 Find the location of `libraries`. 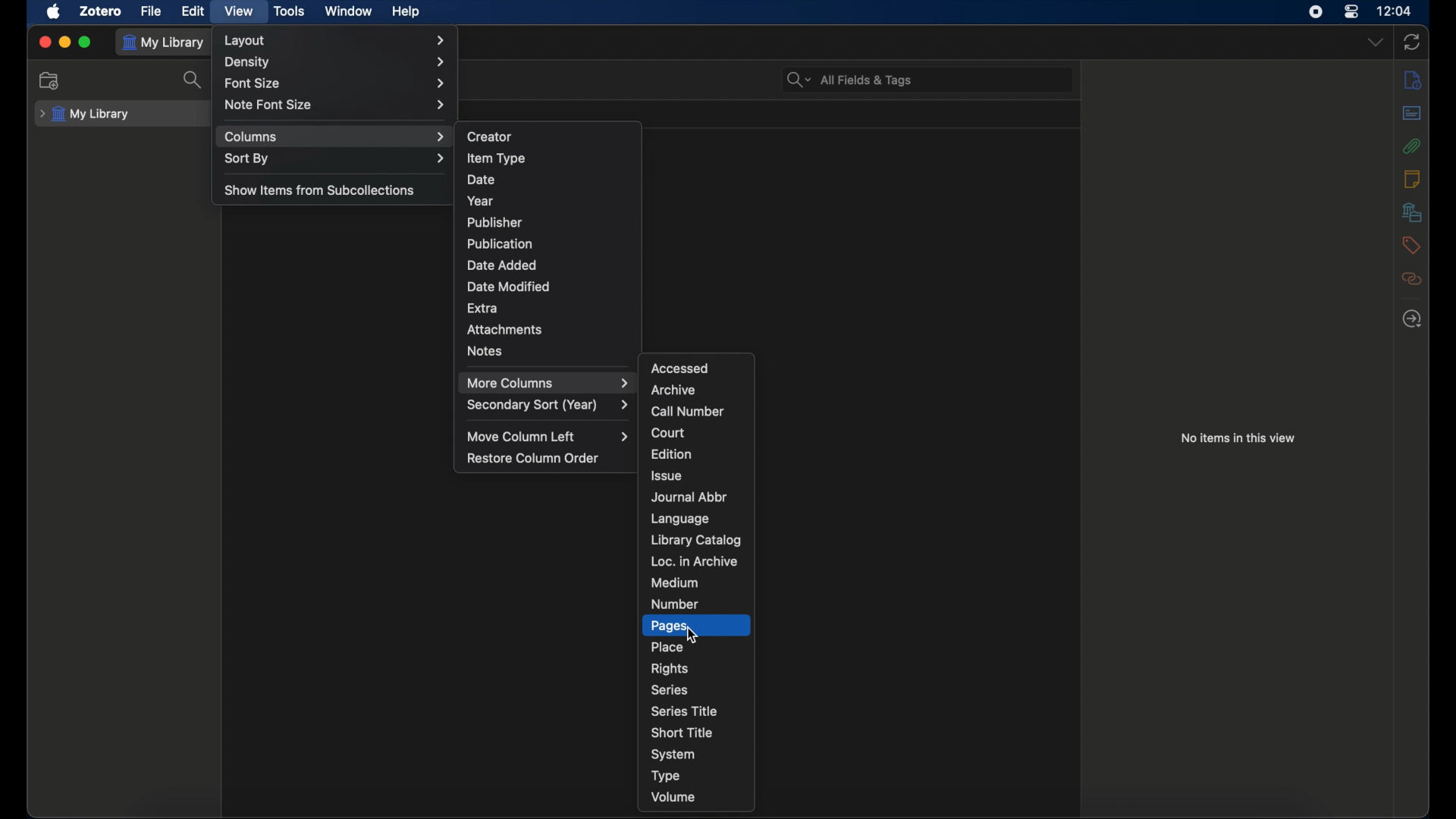

libraries is located at coordinates (1411, 212).